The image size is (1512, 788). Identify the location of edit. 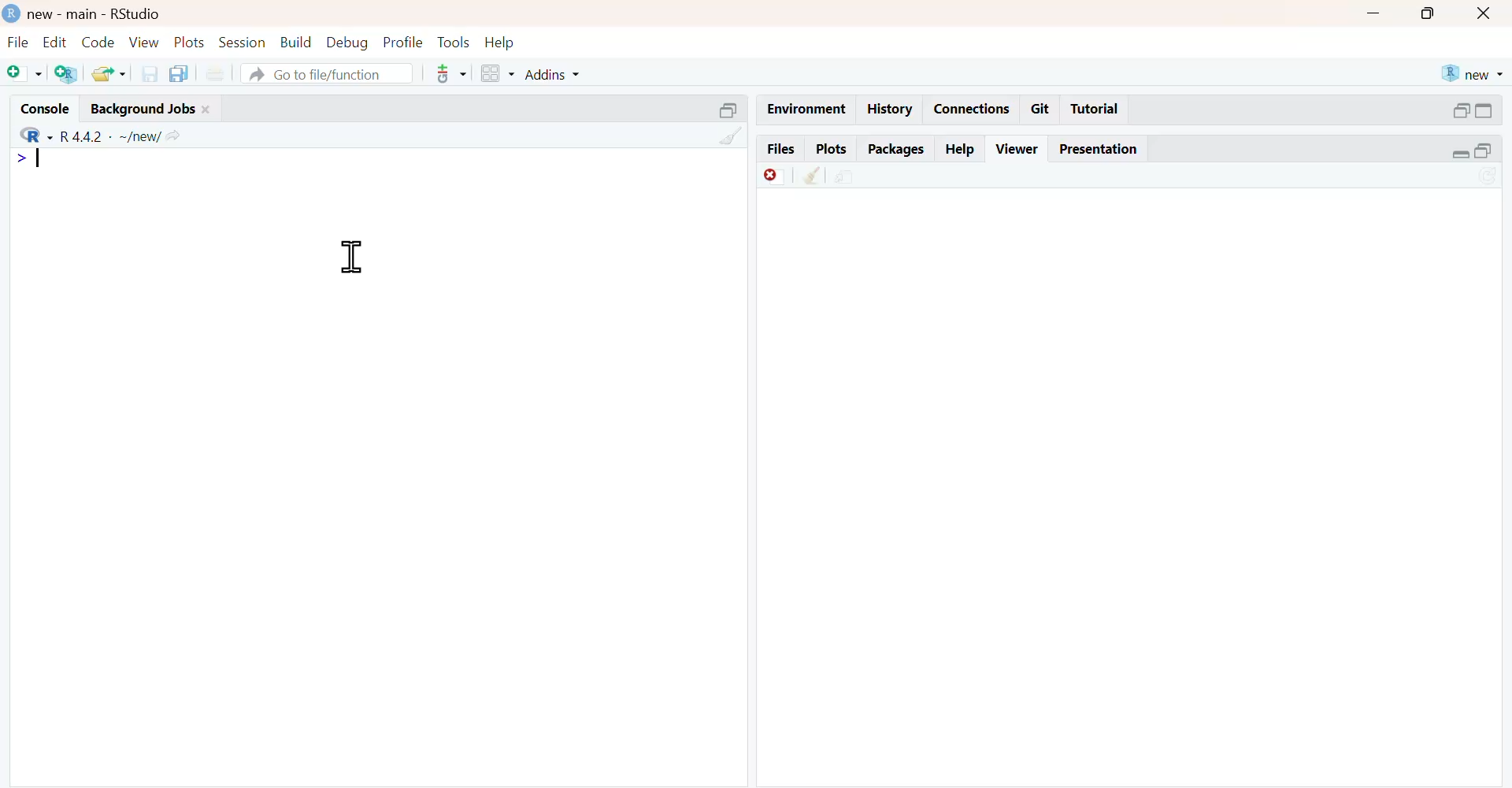
(57, 43).